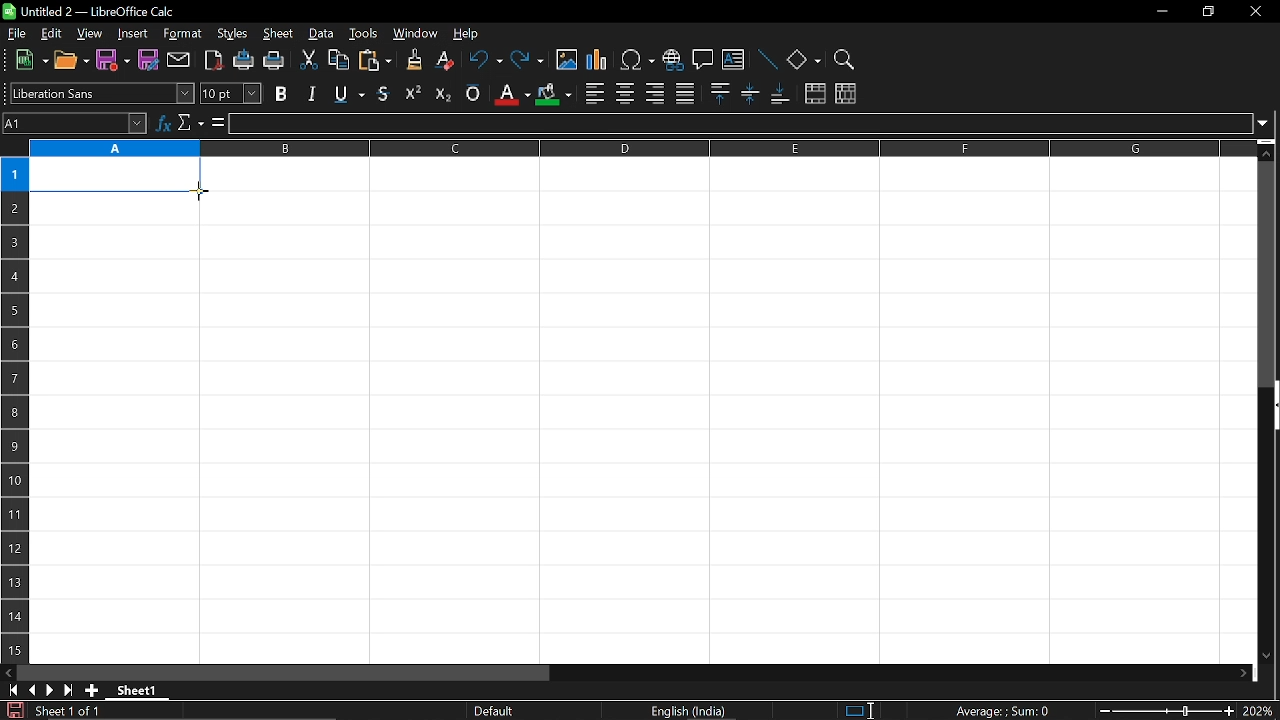  I want to click on Sheet space, so click(646, 413).